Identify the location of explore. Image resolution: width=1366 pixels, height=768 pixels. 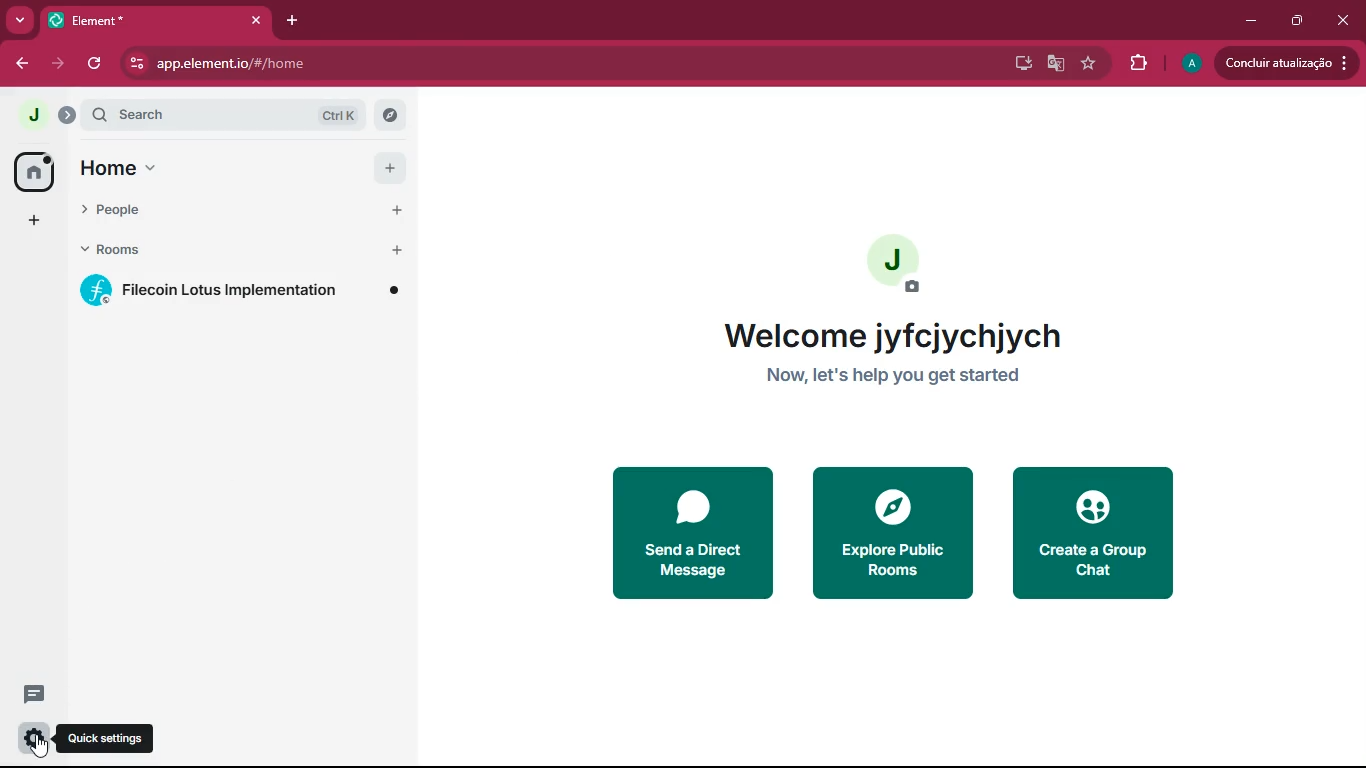
(891, 533).